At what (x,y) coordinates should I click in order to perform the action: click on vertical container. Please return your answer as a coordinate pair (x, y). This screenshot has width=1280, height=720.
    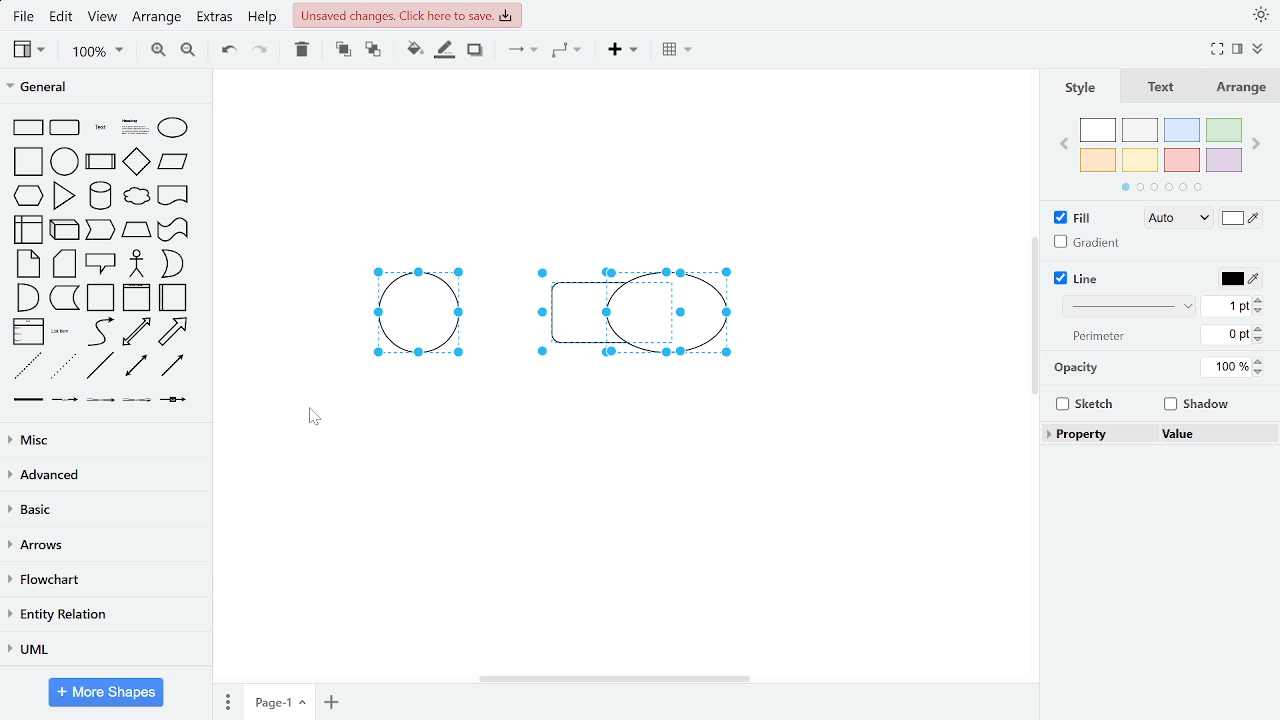
    Looking at the image, I should click on (136, 299).